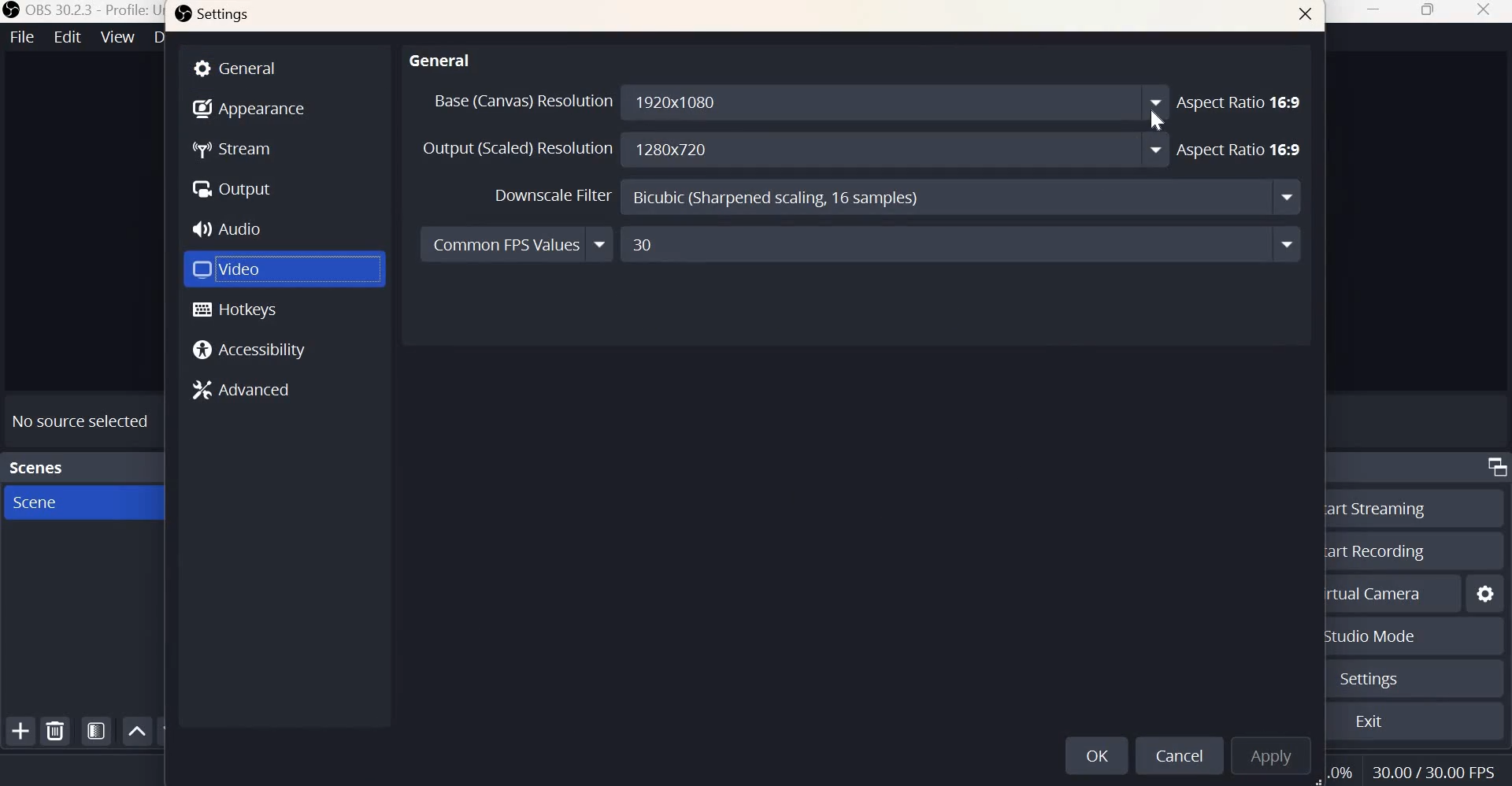 Image resolution: width=1512 pixels, height=786 pixels. I want to click on OK, so click(1095, 755).